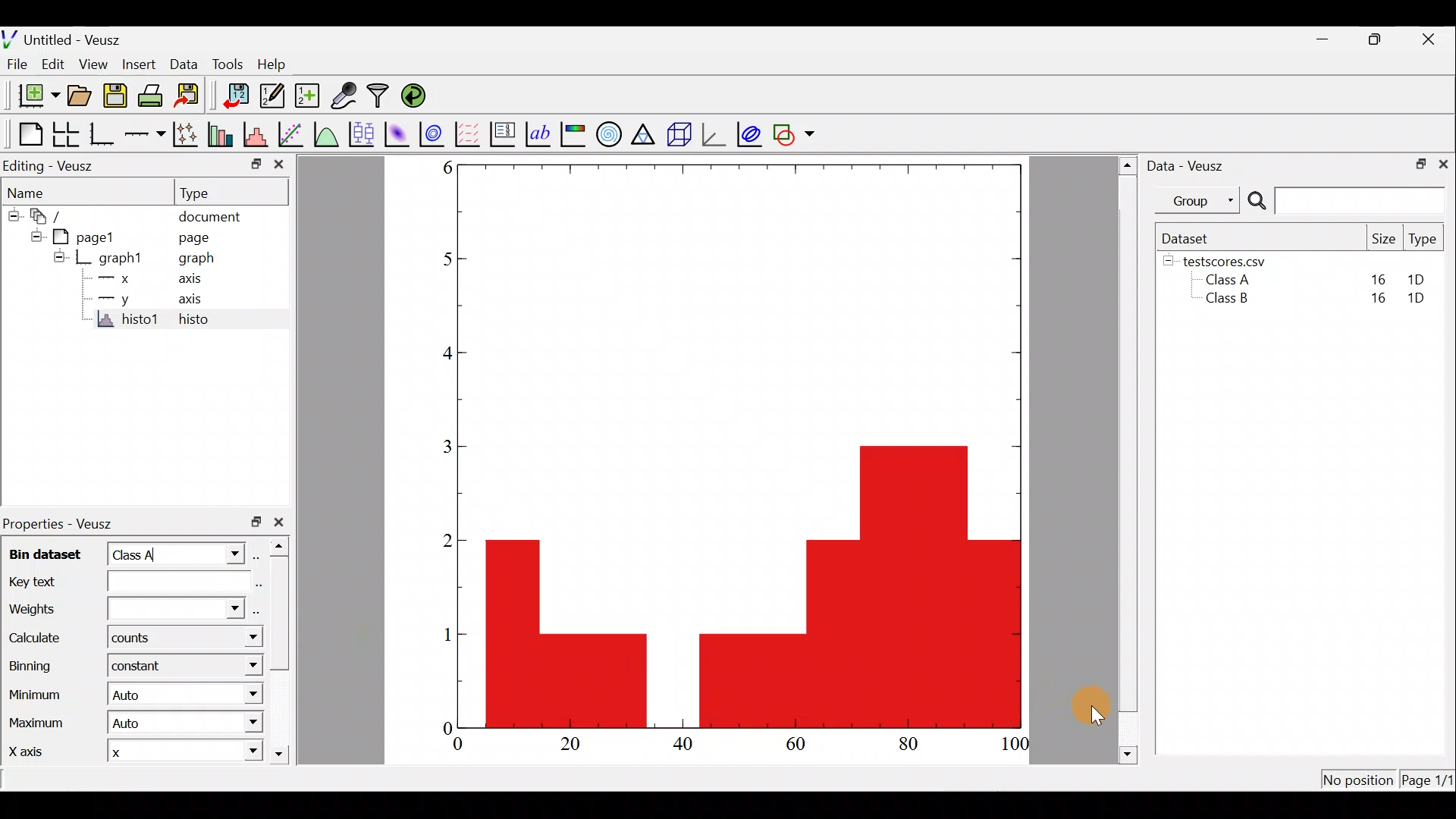 The width and height of the screenshot is (1456, 819). I want to click on 20, so click(573, 747).